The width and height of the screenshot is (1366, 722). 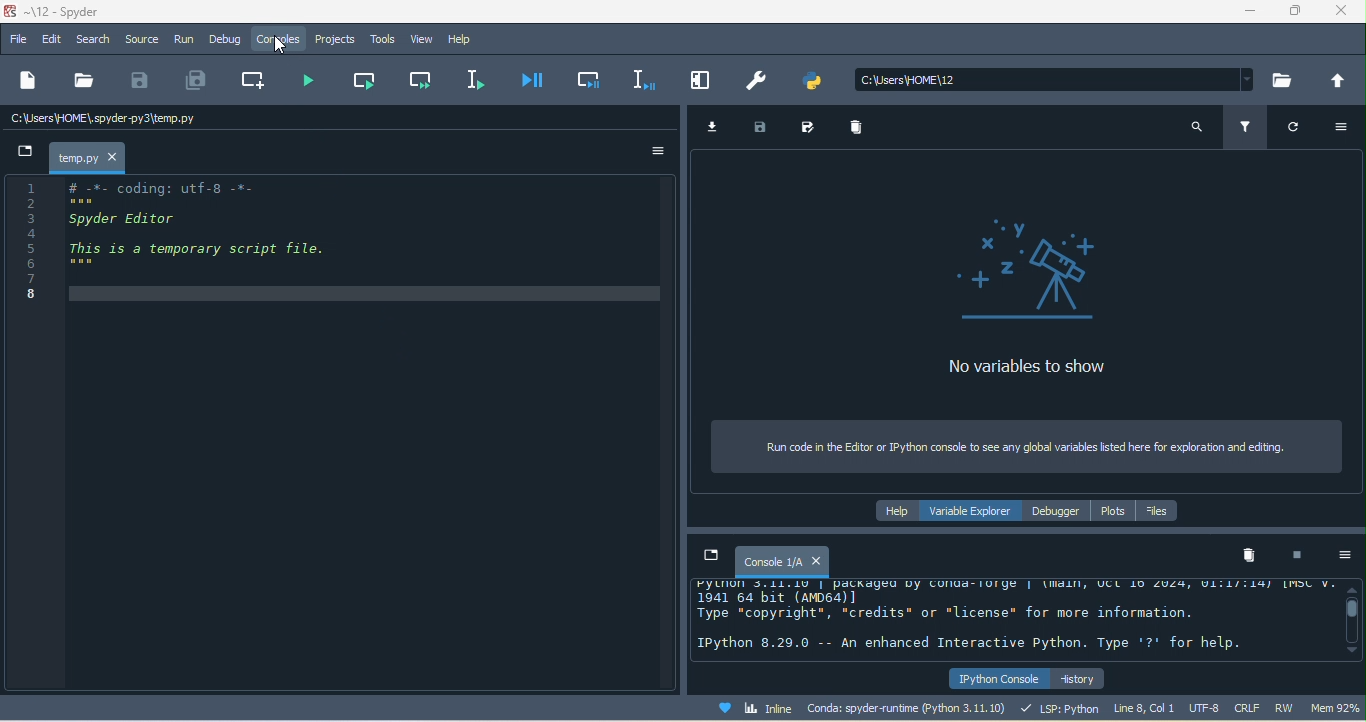 I want to click on help, so click(x=463, y=40).